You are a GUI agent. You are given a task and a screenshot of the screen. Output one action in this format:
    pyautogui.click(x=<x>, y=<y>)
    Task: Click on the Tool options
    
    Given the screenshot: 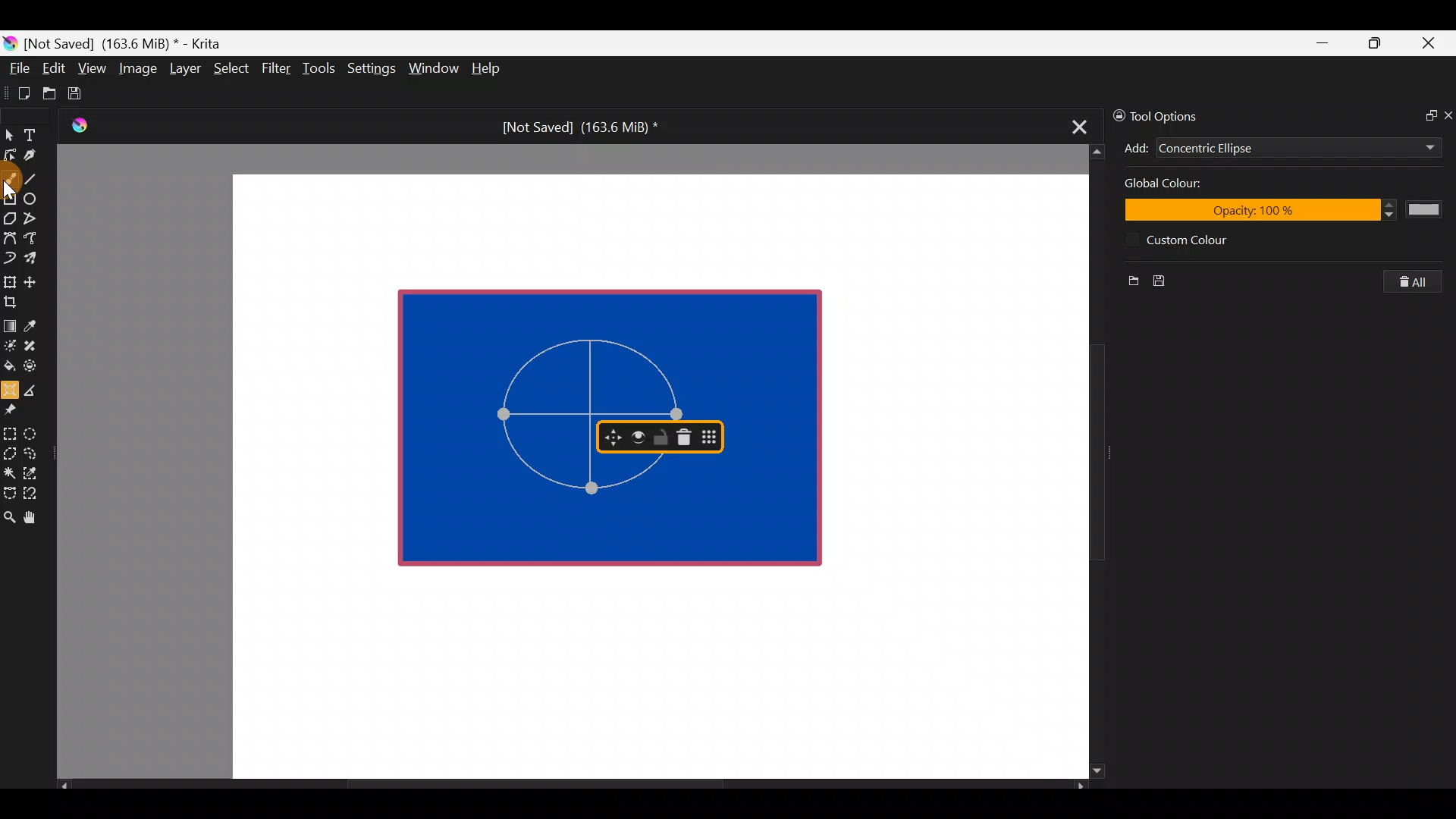 What is the action you would take?
    pyautogui.click(x=1178, y=116)
    